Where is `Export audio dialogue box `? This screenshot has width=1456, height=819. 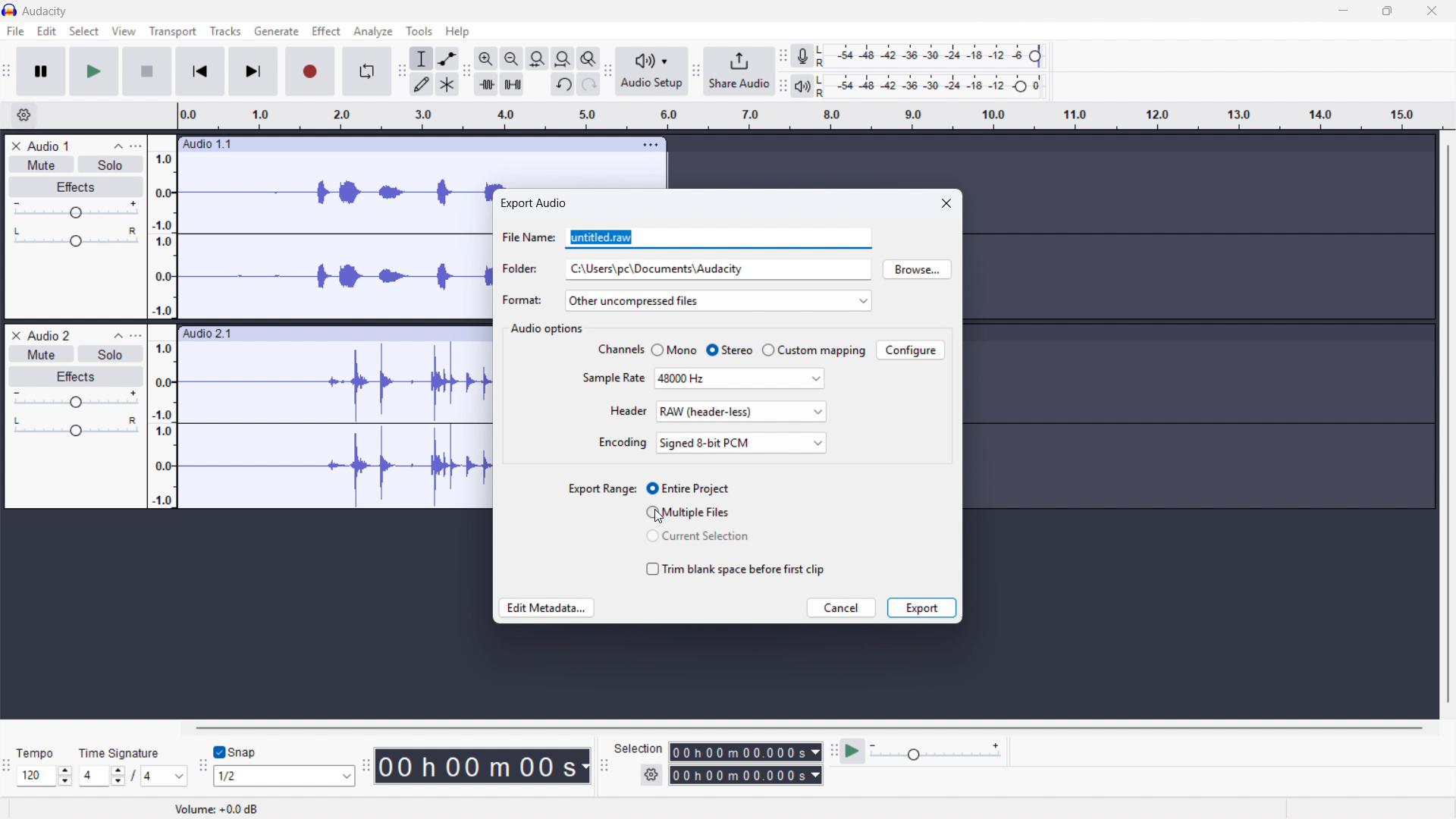
Export audio dialogue box  is located at coordinates (533, 203).